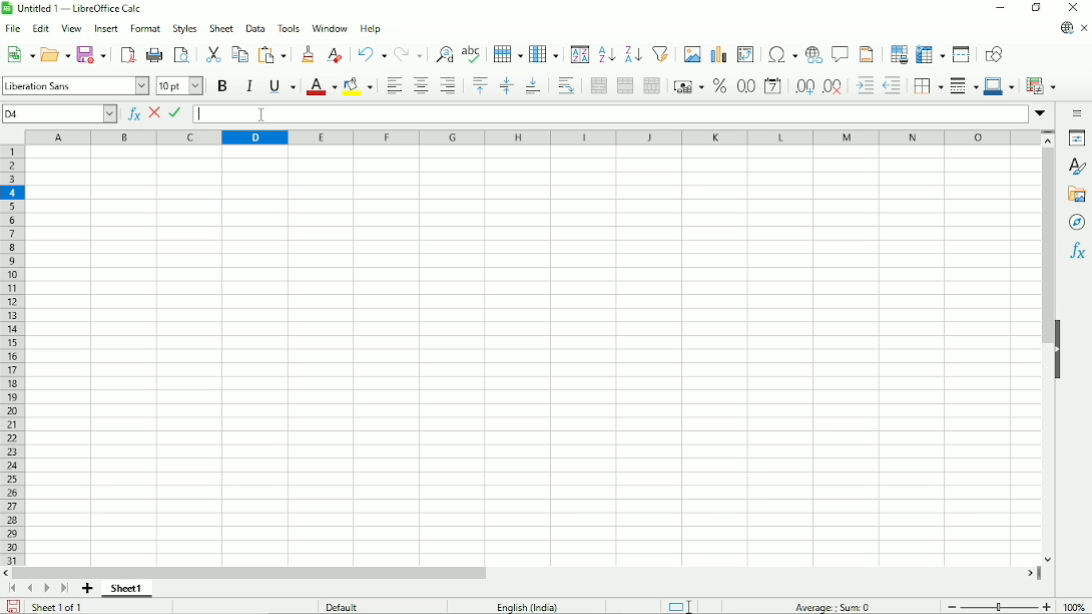 The image size is (1092, 614). Describe the element at coordinates (107, 28) in the screenshot. I see `Insert` at that location.